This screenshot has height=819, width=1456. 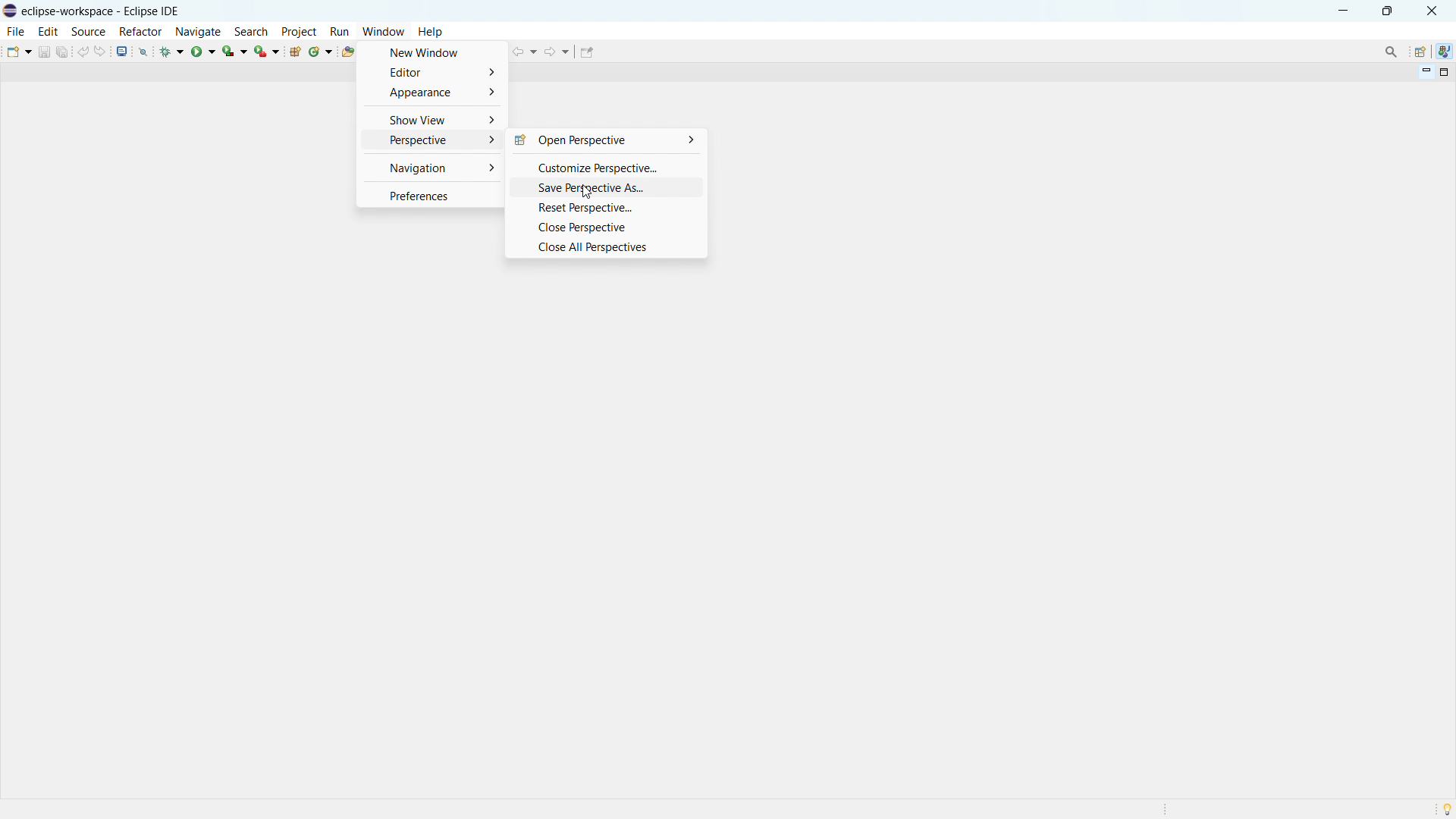 I want to click on cursor, so click(x=585, y=193).